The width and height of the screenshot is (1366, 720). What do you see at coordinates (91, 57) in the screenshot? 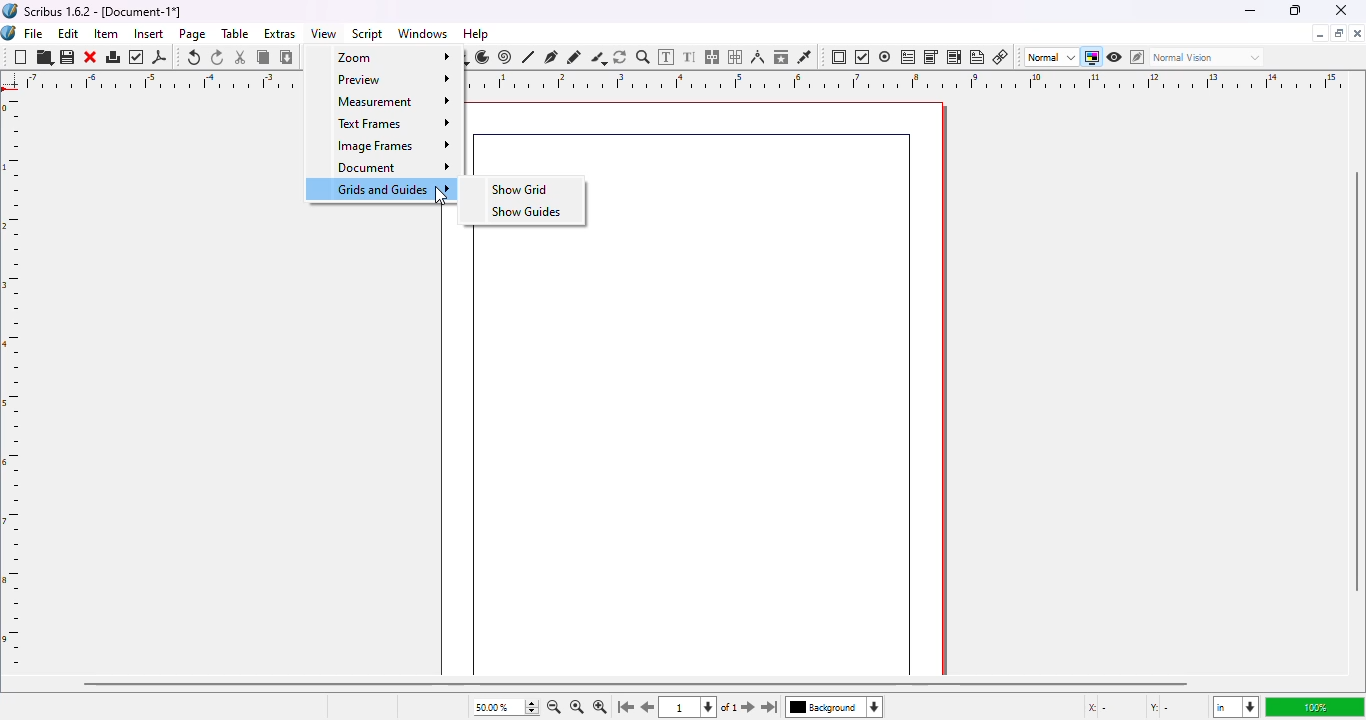
I see `close` at bounding box center [91, 57].